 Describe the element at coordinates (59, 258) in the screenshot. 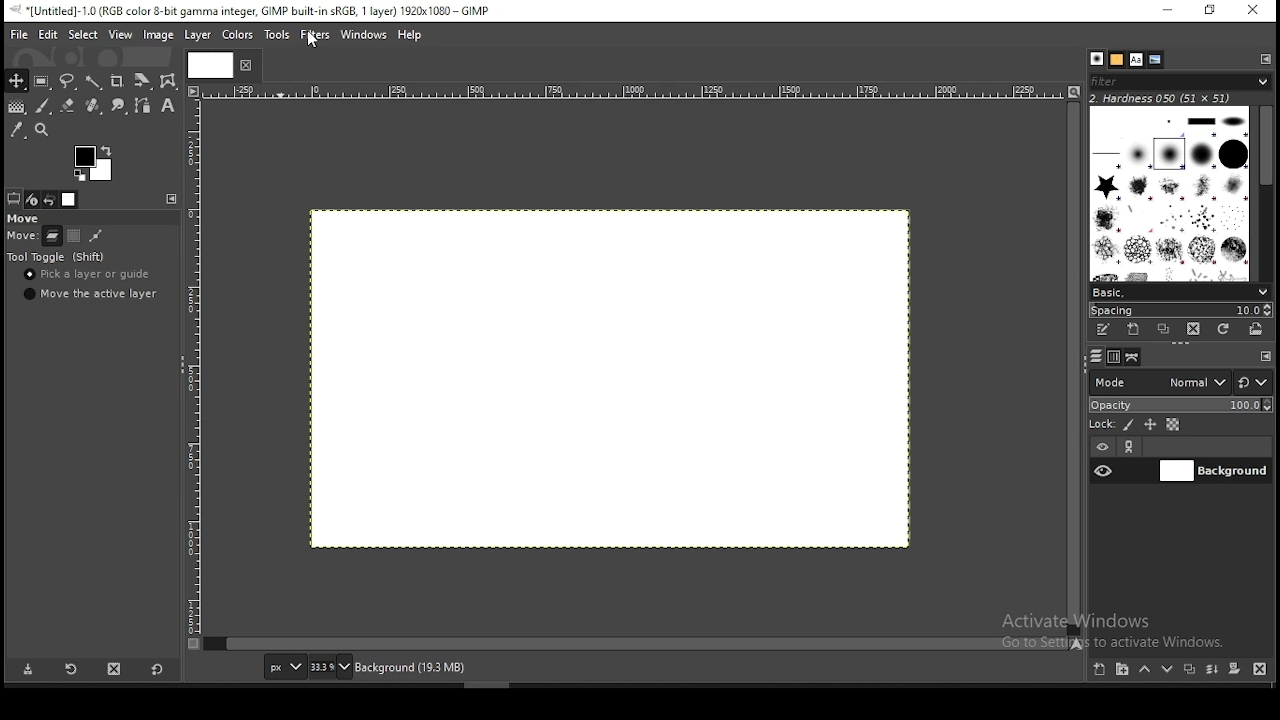

I see `tool toggle` at that location.